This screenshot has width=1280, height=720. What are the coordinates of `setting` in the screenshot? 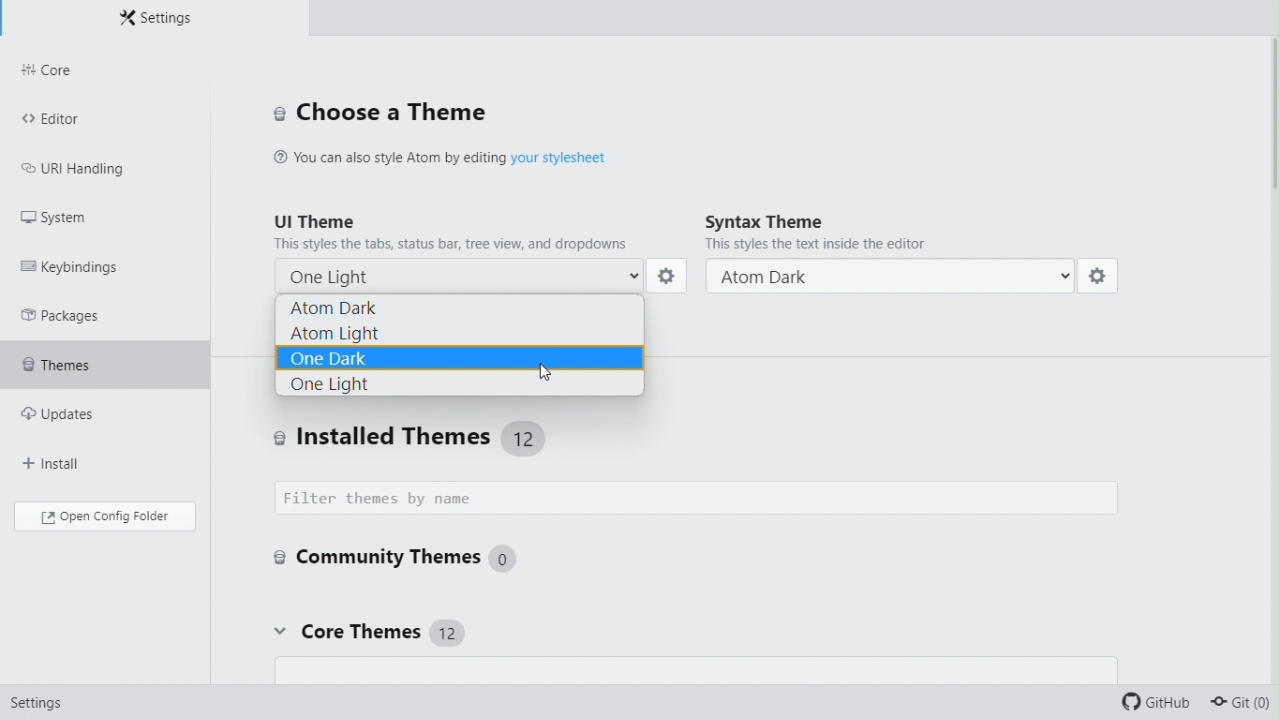 It's located at (1102, 279).